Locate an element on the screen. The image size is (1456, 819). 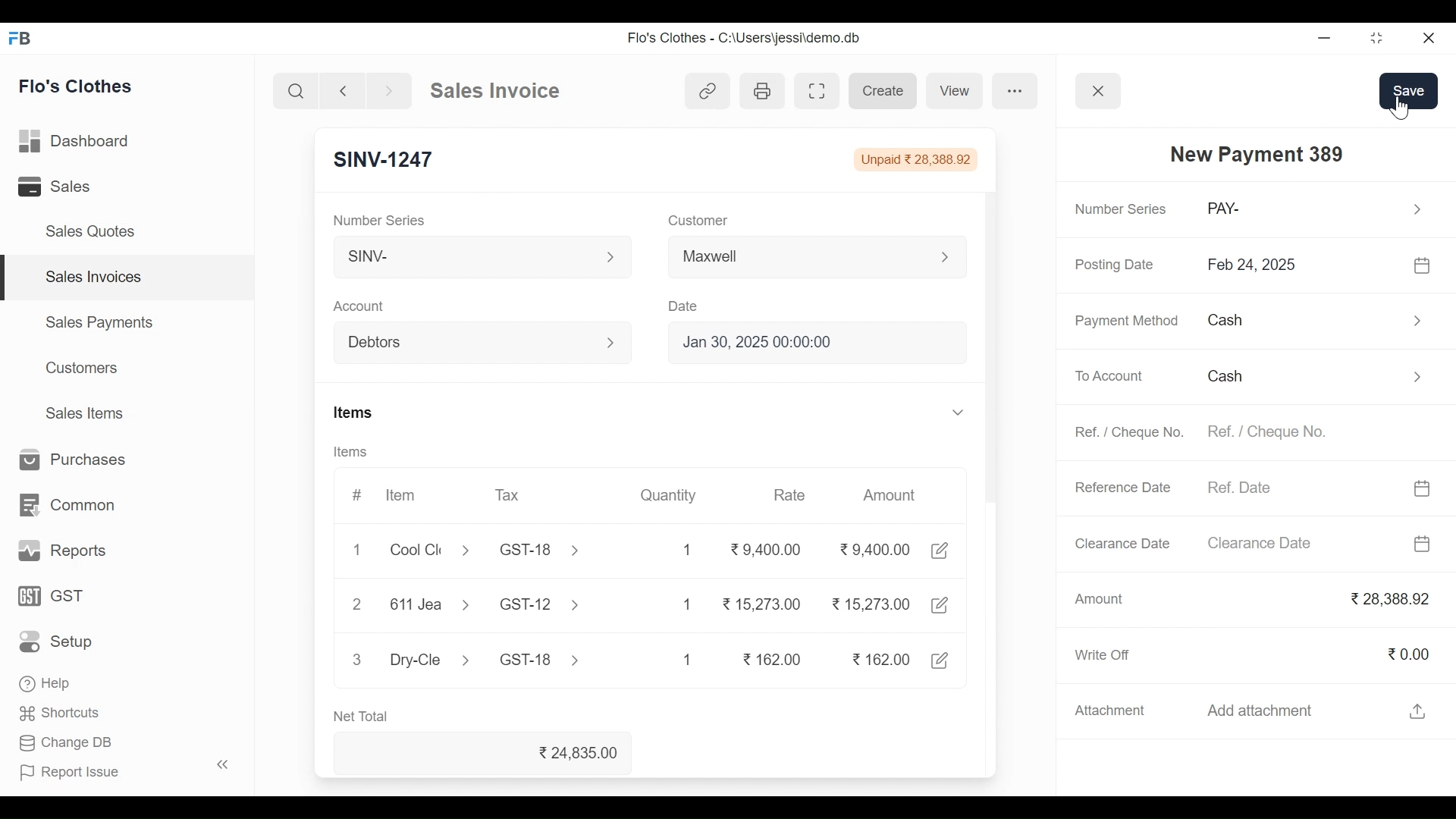
Cash is located at coordinates (1234, 377).